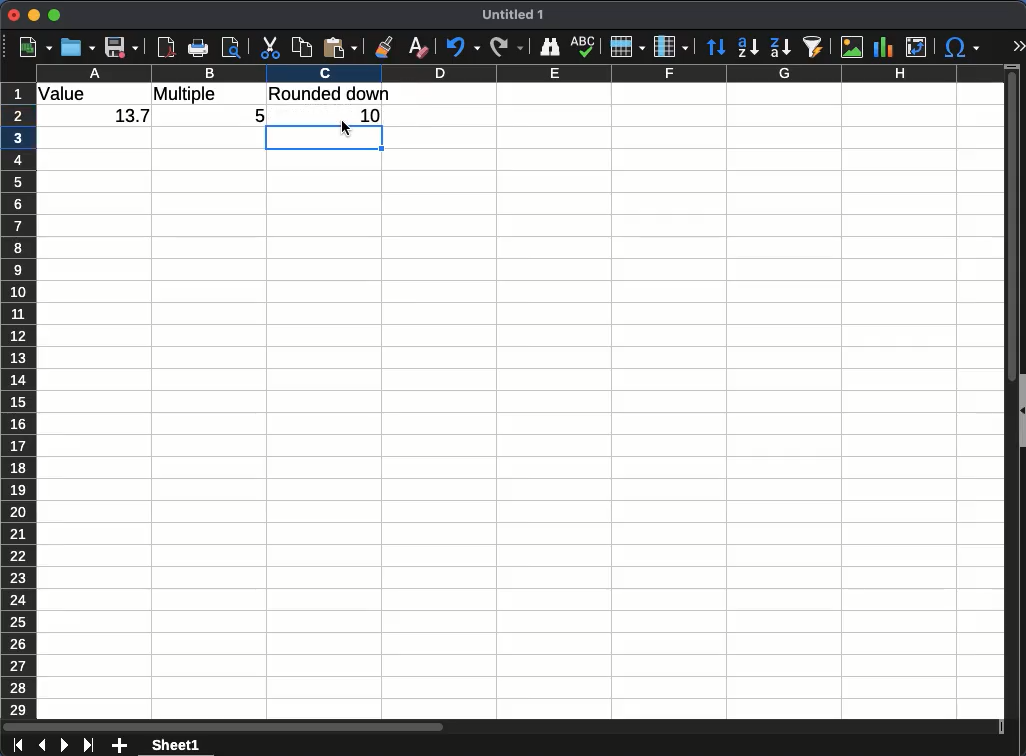 The width and height of the screenshot is (1026, 756). What do you see at coordinates (883, 47) in the screenshot?
I see `chart` at bounding box center [883, 47].